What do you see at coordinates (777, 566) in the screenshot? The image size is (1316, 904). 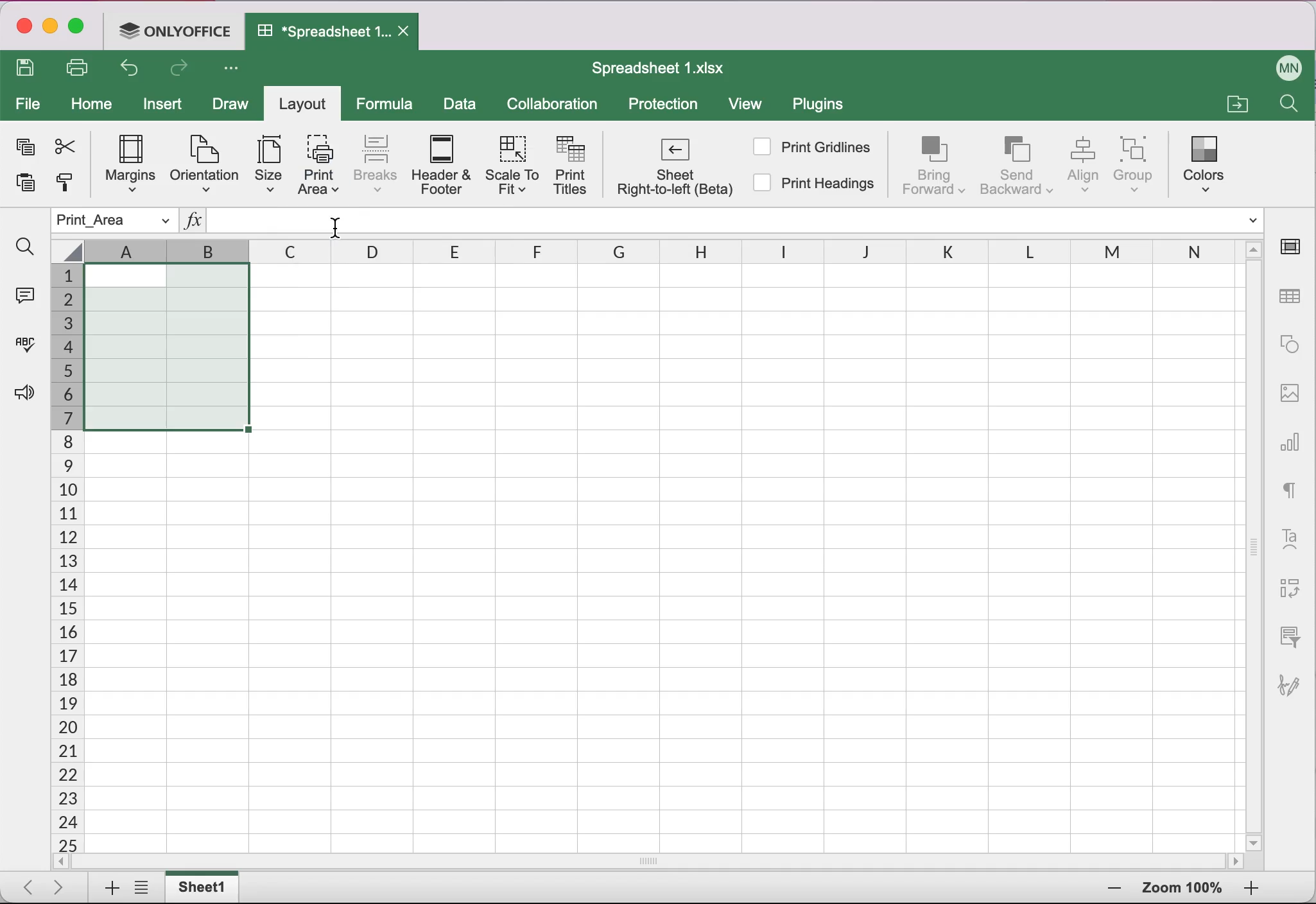 I see `cells` at bounding box center [777, 566].